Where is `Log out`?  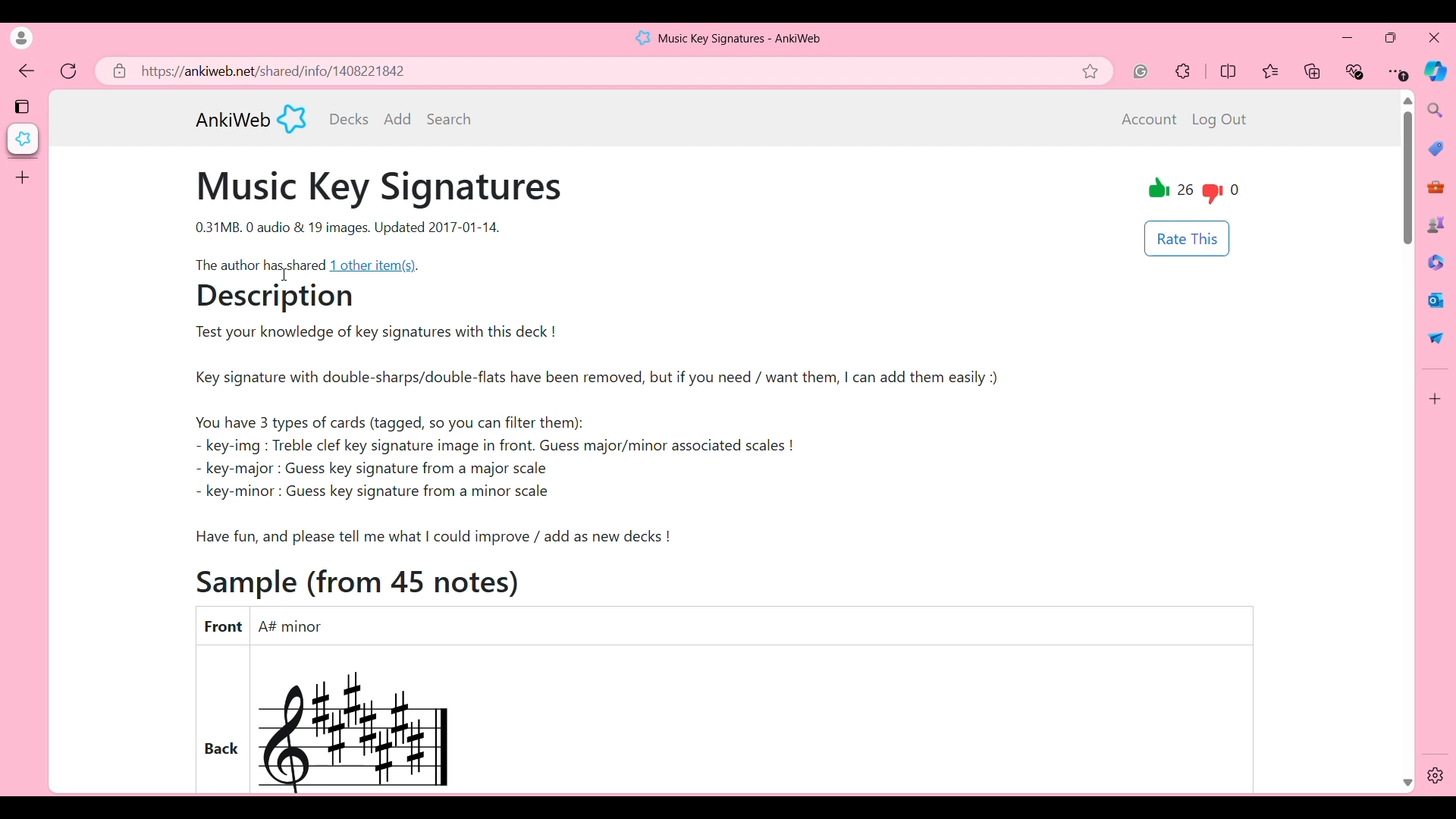
Log out is located at coordinates (1222, 121).